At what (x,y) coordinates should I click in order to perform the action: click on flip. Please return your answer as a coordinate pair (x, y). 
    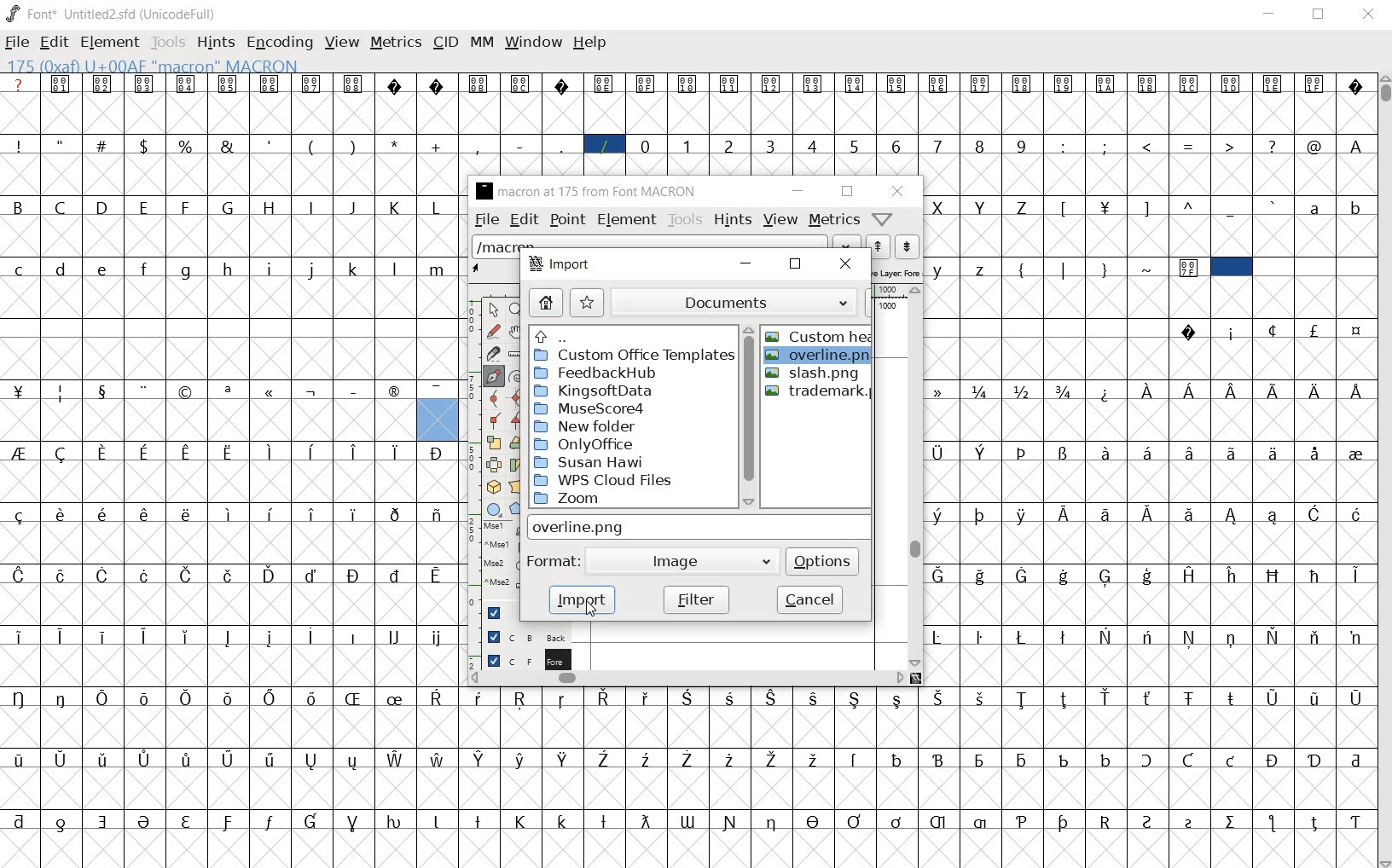
    Looking at the image, I should click on (493, 464).